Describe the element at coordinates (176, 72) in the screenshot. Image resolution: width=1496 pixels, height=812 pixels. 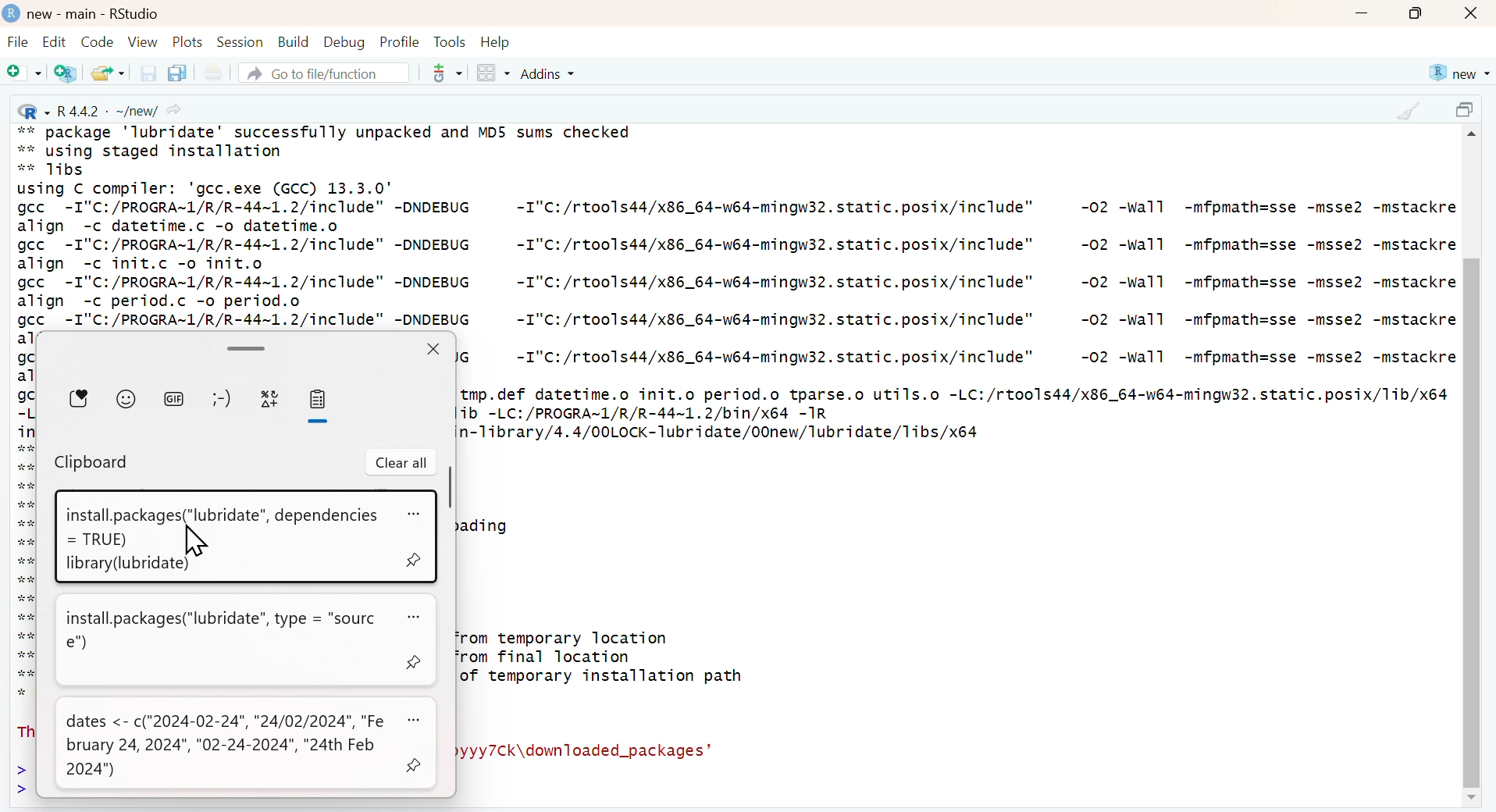
I see `save all the open documents` at that location.